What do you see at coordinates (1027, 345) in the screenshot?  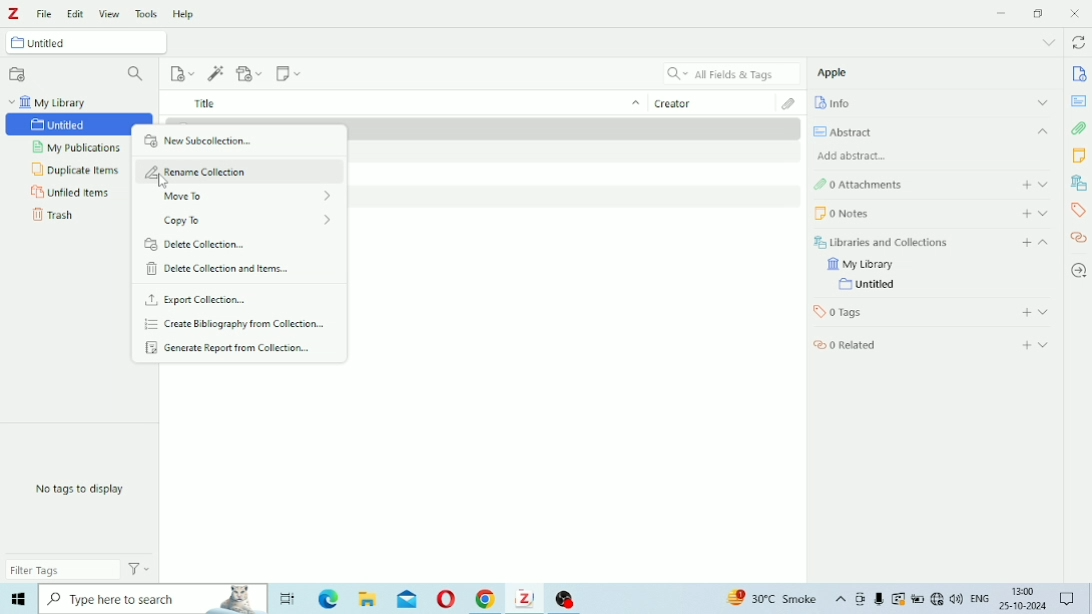 I see `Add` at bounding box center [1027, 345].